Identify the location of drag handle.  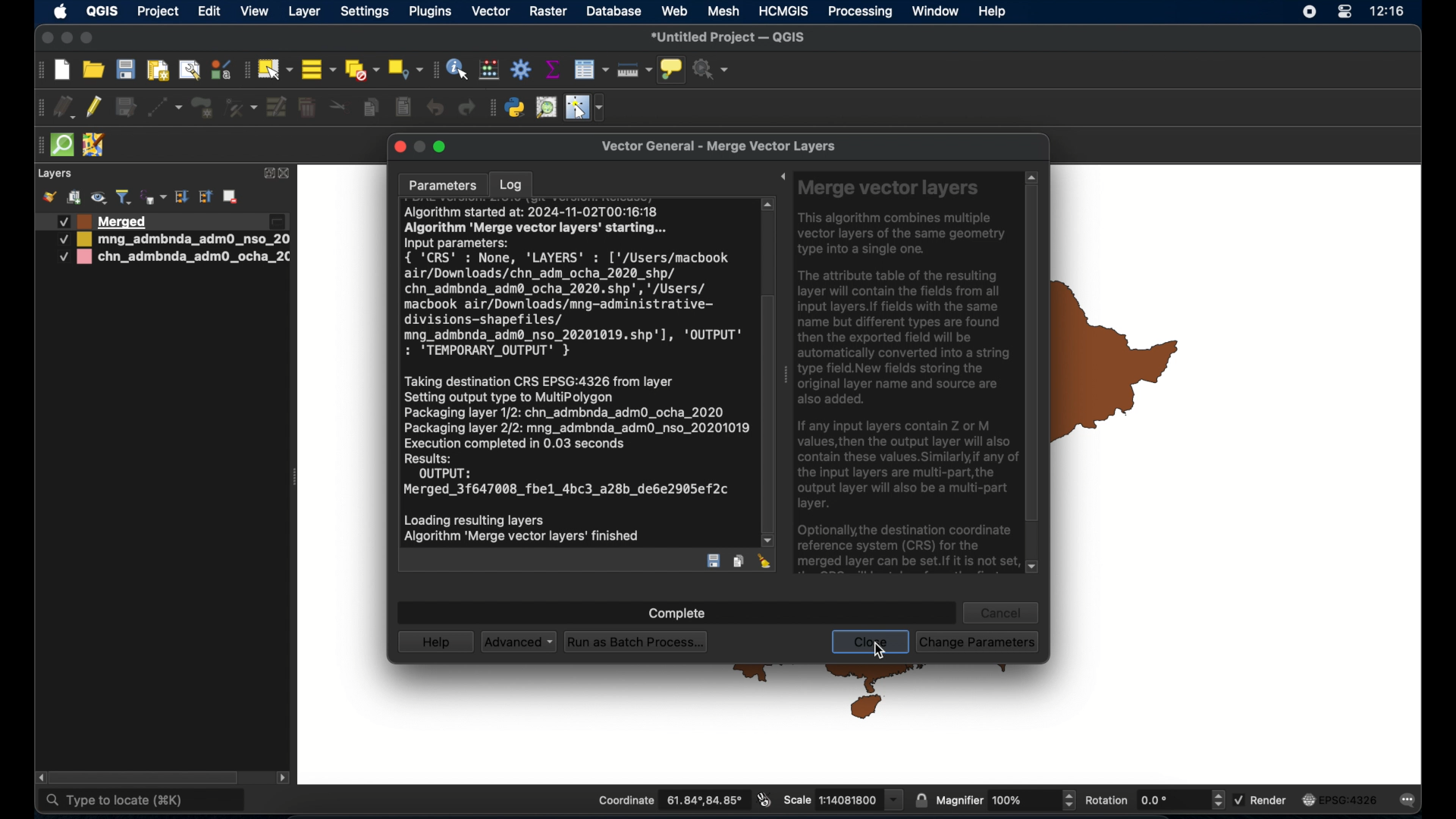
(784, 378).